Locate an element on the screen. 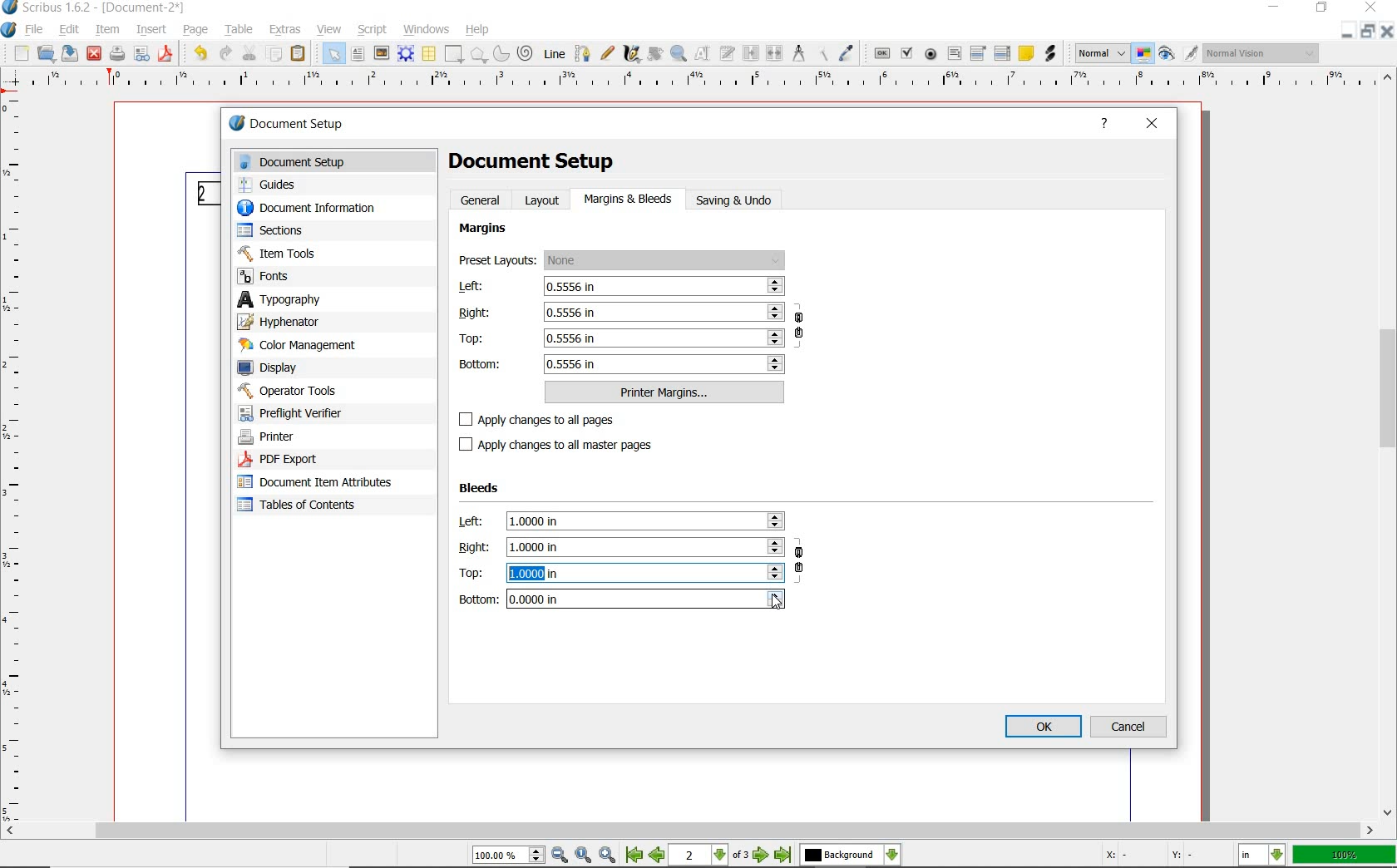 The height and width of the screenshot is (868, 1397). Zoom In is located at coordinates (609, 856).